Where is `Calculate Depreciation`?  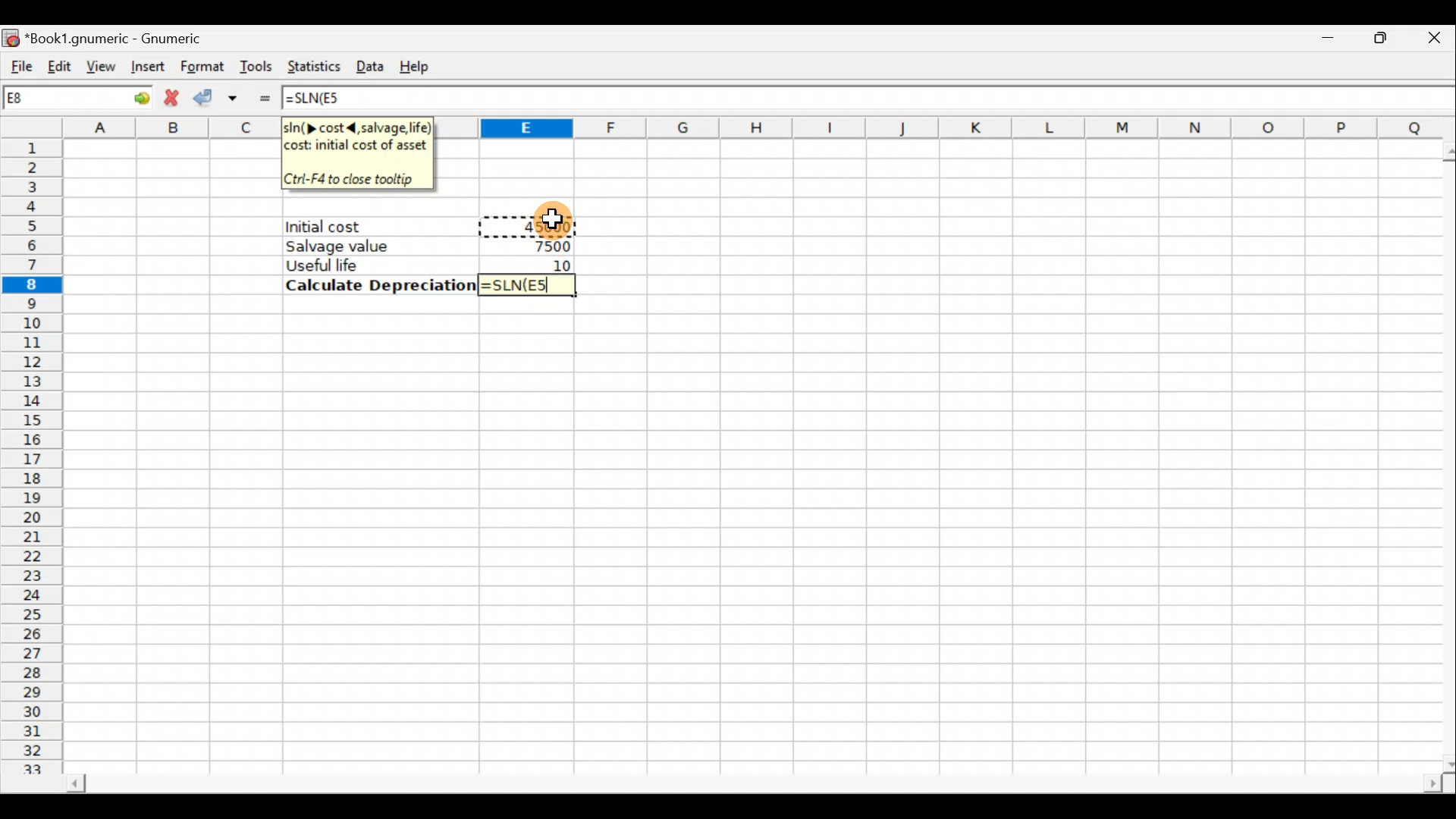
Calculate Depreciation is located at coordinates (376, 285).